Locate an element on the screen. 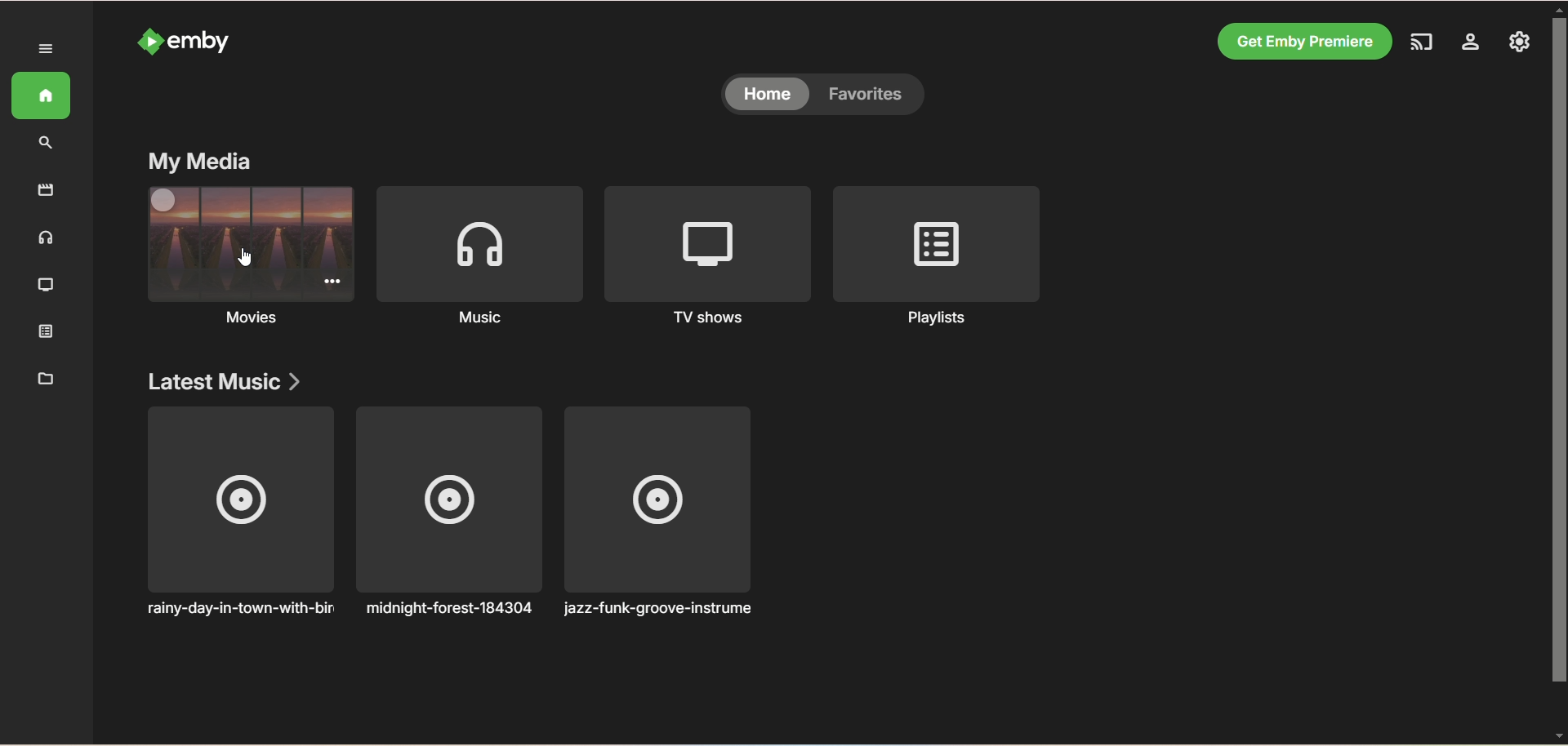  manage emby server is located at coordinates (1468, 42).